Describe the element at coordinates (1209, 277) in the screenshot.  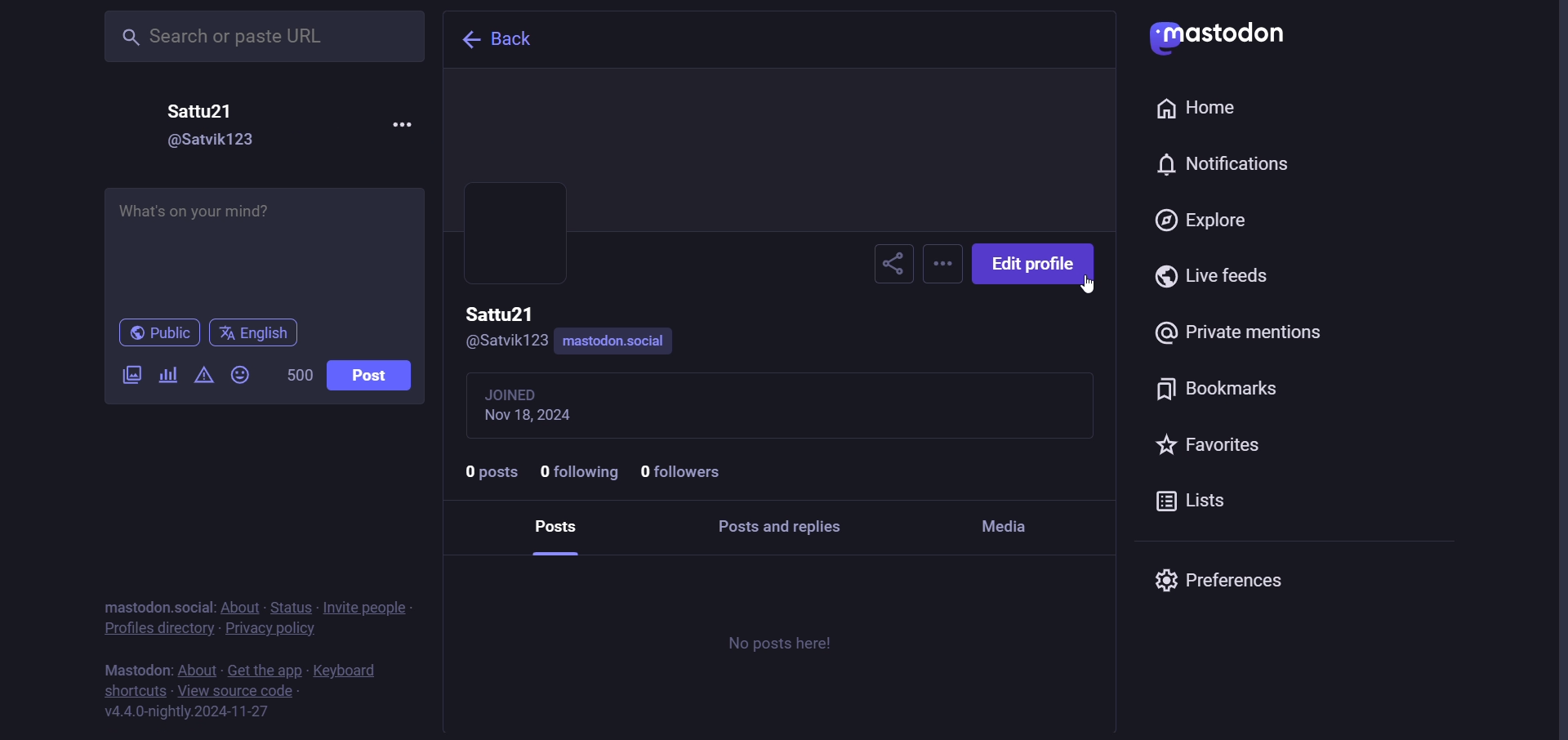
I see `live feeds` at that location.